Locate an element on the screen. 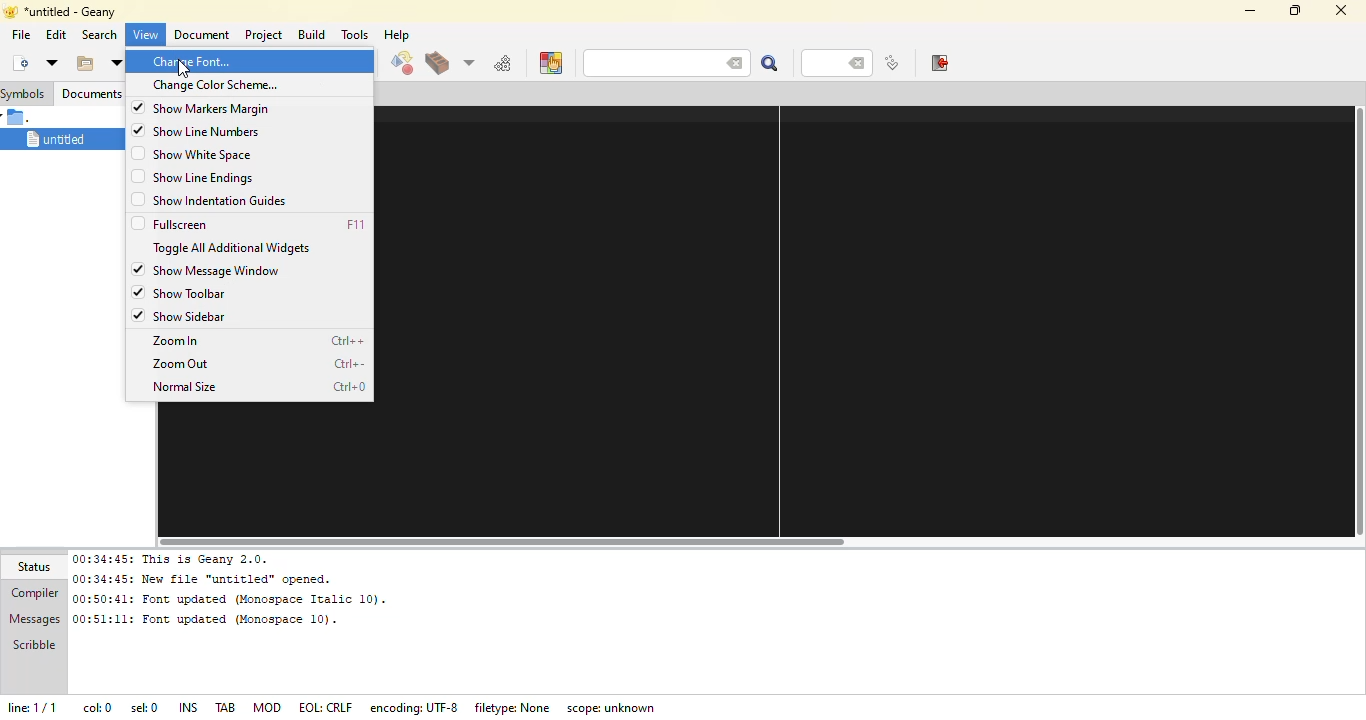 The height and width of the screenshot is (720, 1366). view is located at coordinates (147, 35).